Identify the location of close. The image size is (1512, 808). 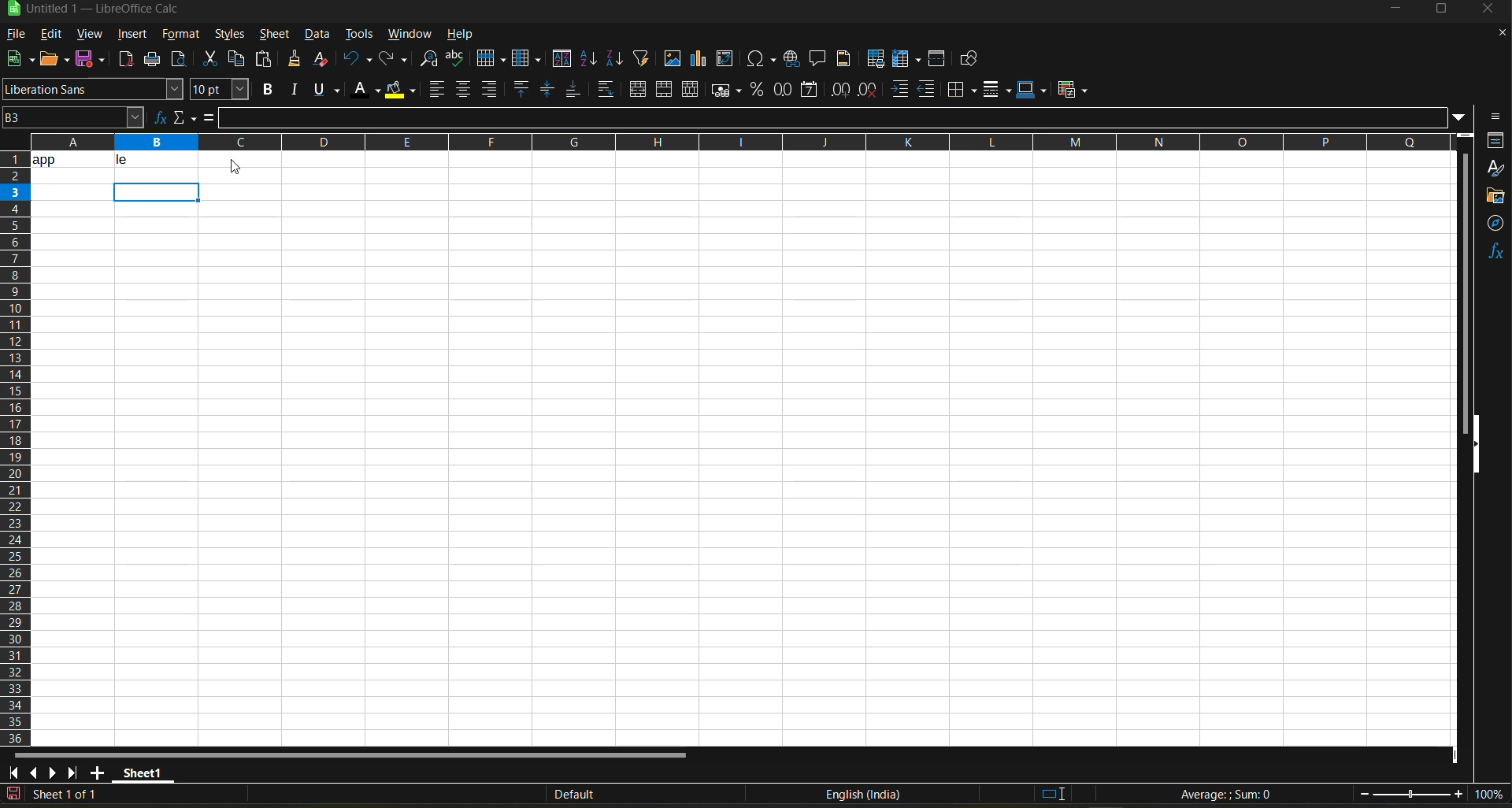
(1492, 12).